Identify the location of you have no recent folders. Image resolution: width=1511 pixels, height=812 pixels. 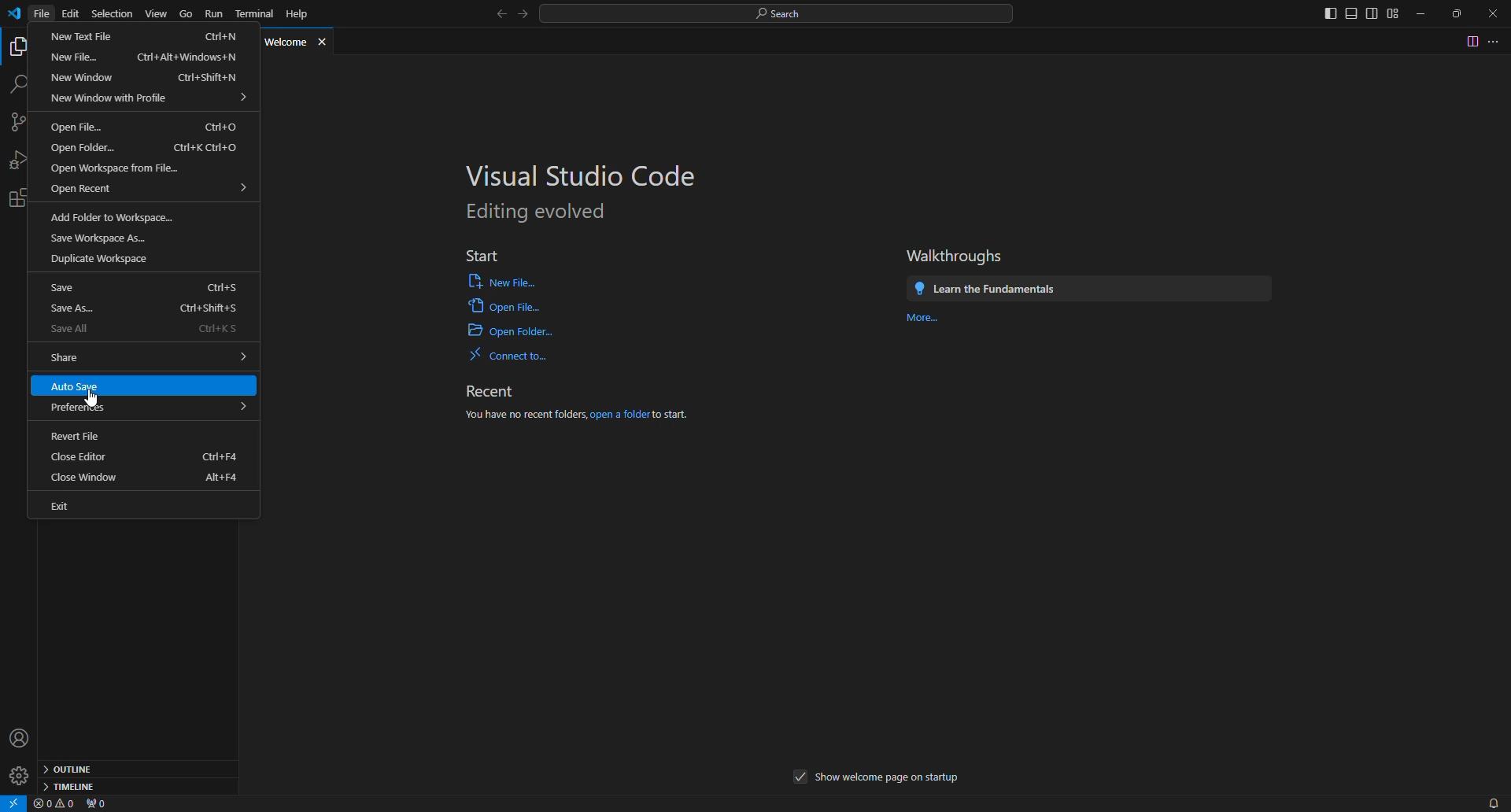
(524, 415).